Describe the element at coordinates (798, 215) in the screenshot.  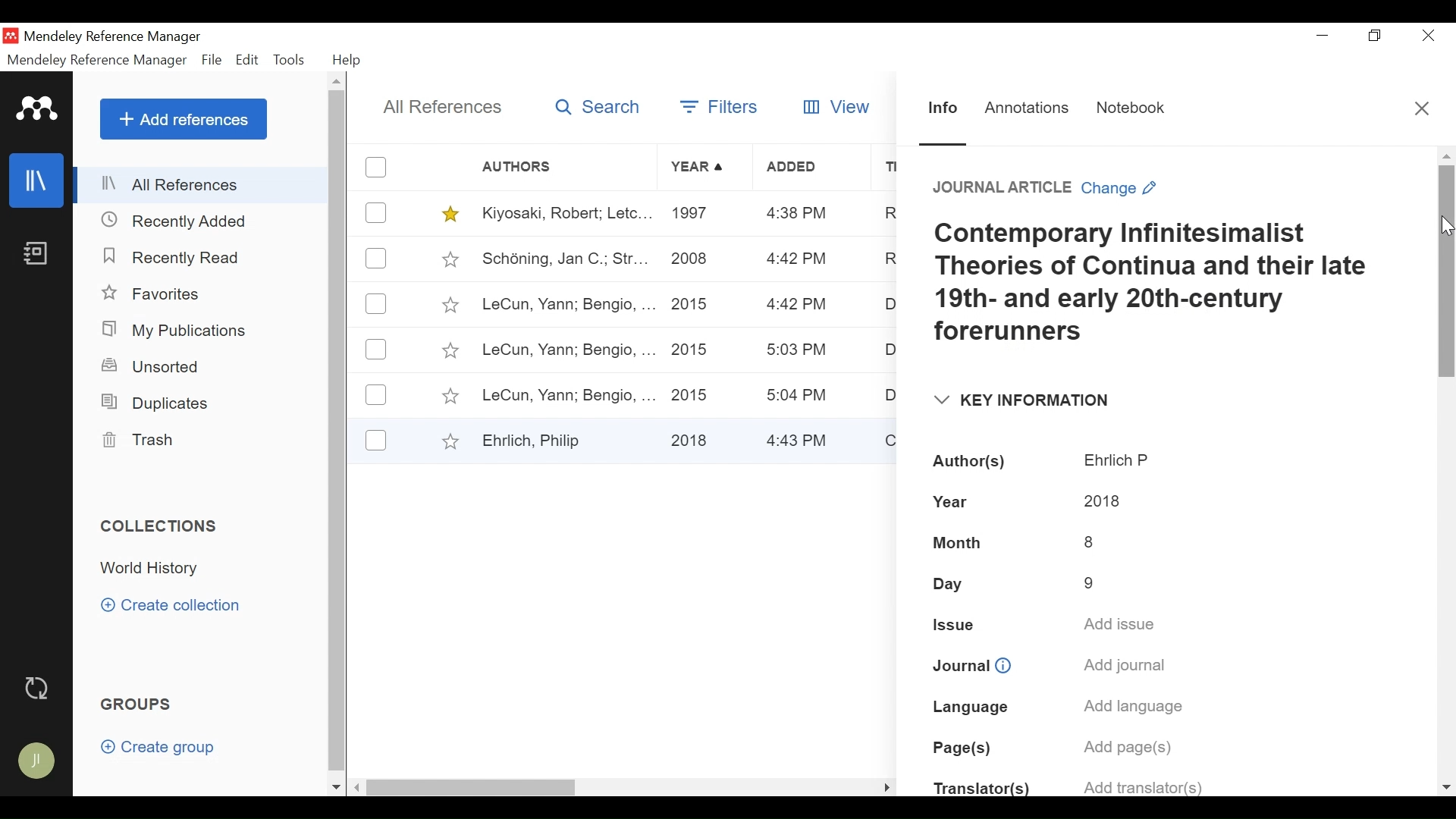
I see `4:38 PM` at that location.